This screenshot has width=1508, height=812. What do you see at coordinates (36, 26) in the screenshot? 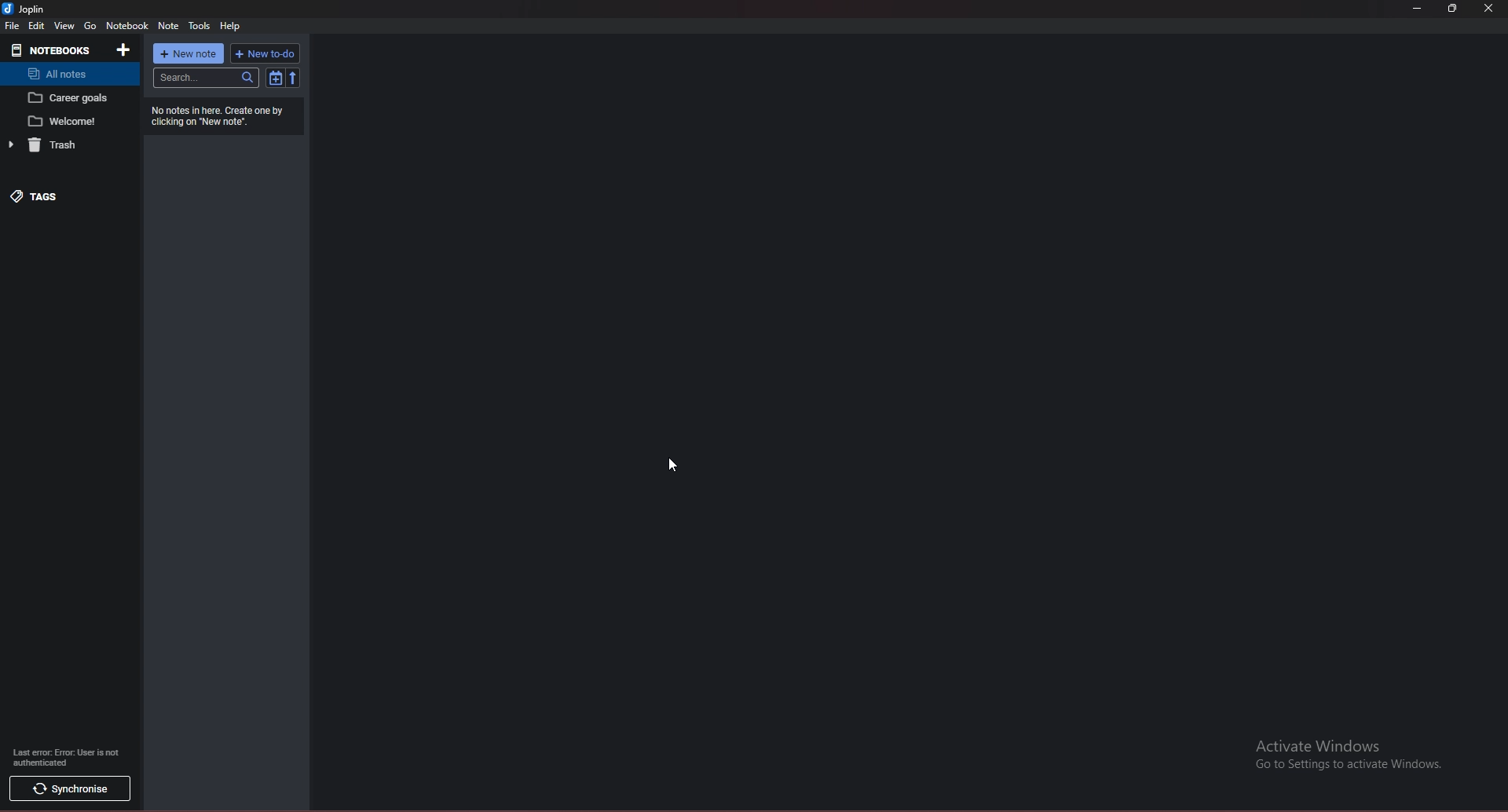
I see `edit` at bounding box center [36, 26].